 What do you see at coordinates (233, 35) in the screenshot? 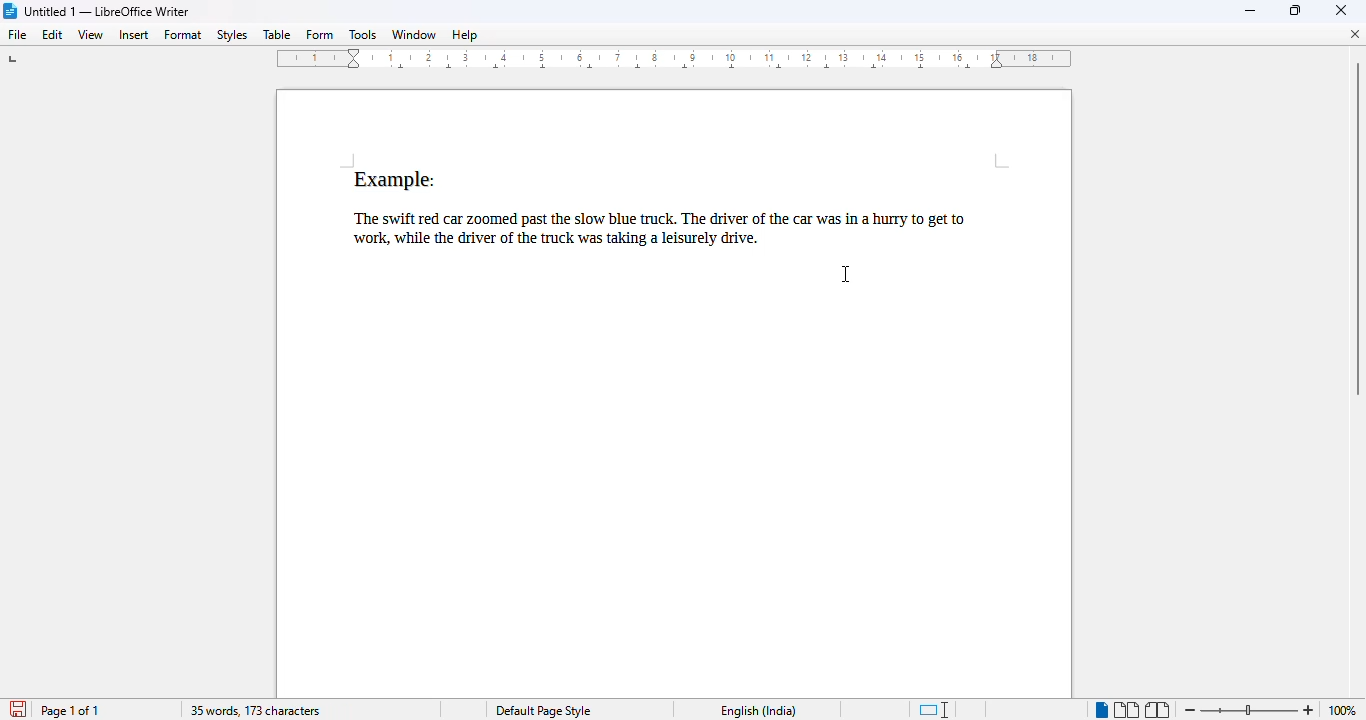
I see `styles` at bounding box center [233, 35].